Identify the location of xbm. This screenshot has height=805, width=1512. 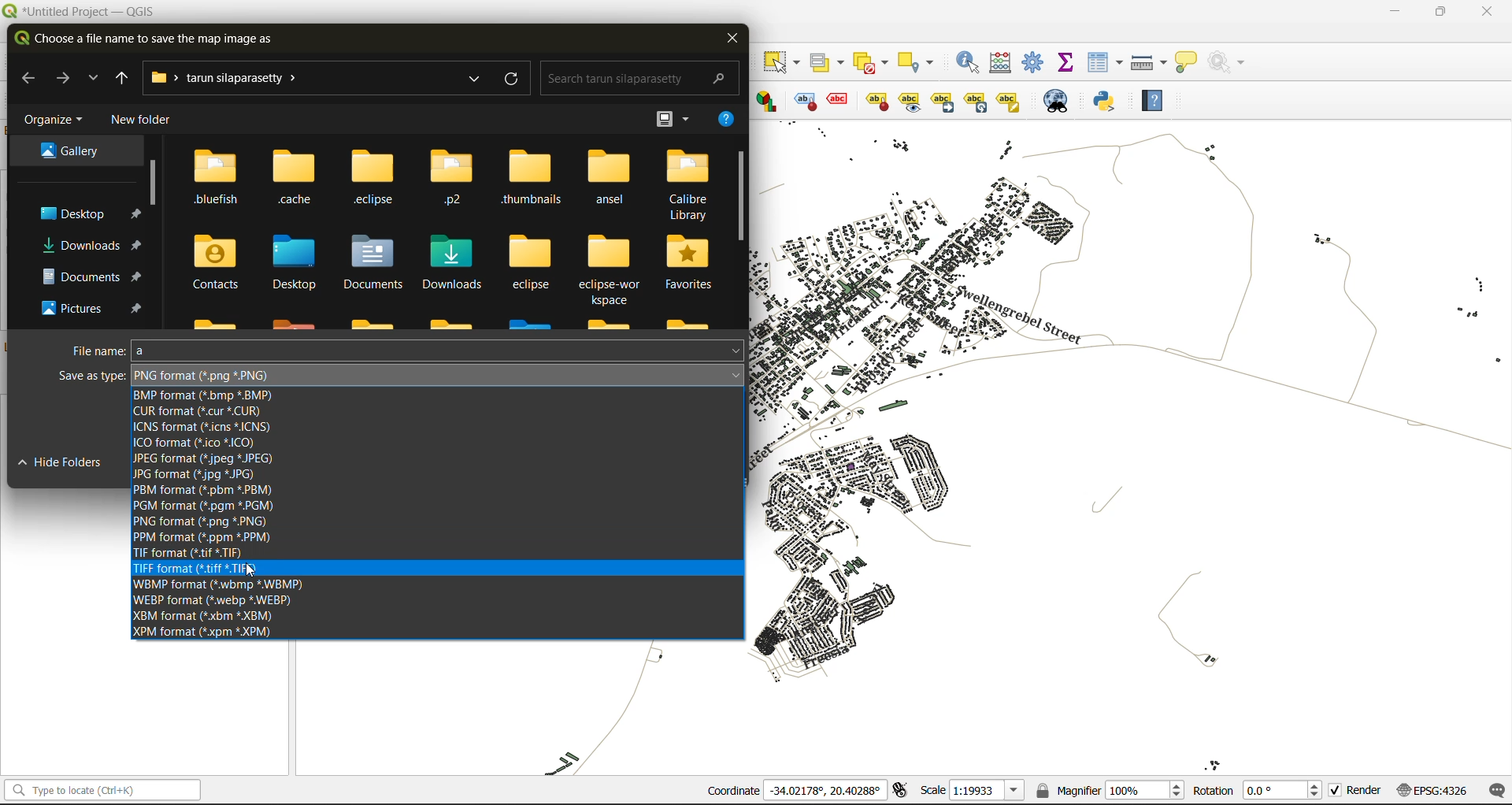
(209, 615).